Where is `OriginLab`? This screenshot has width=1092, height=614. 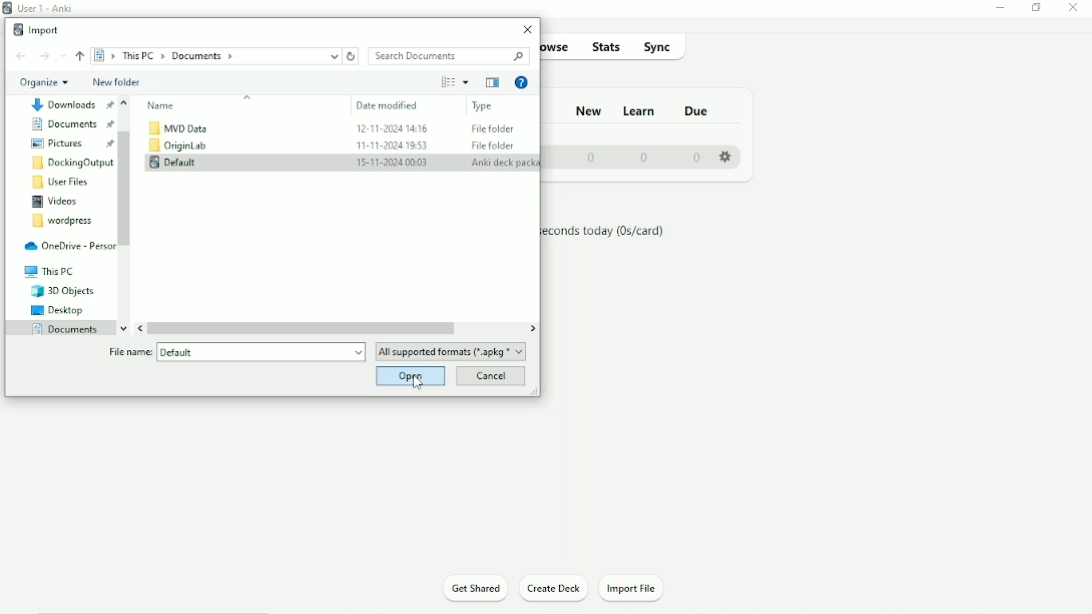 OriginLab is located at coordinates (178, 145).